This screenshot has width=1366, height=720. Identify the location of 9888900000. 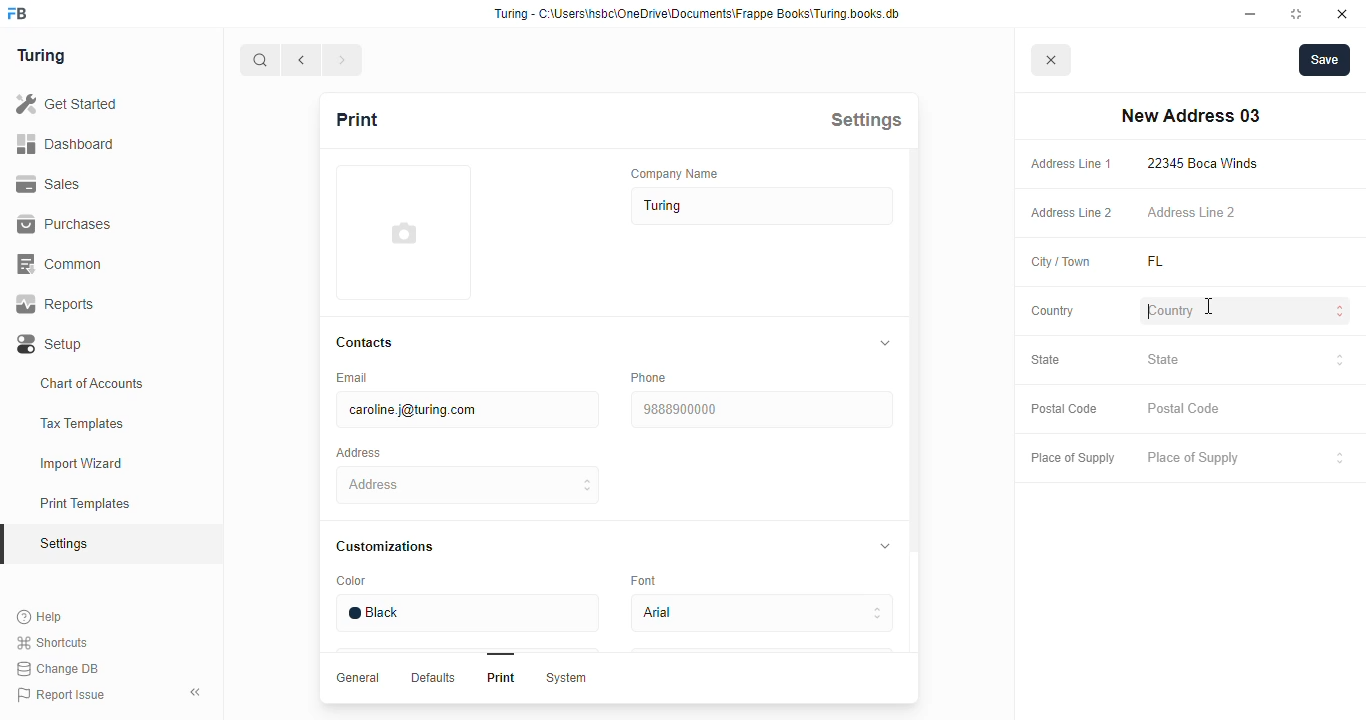
(760, 410).